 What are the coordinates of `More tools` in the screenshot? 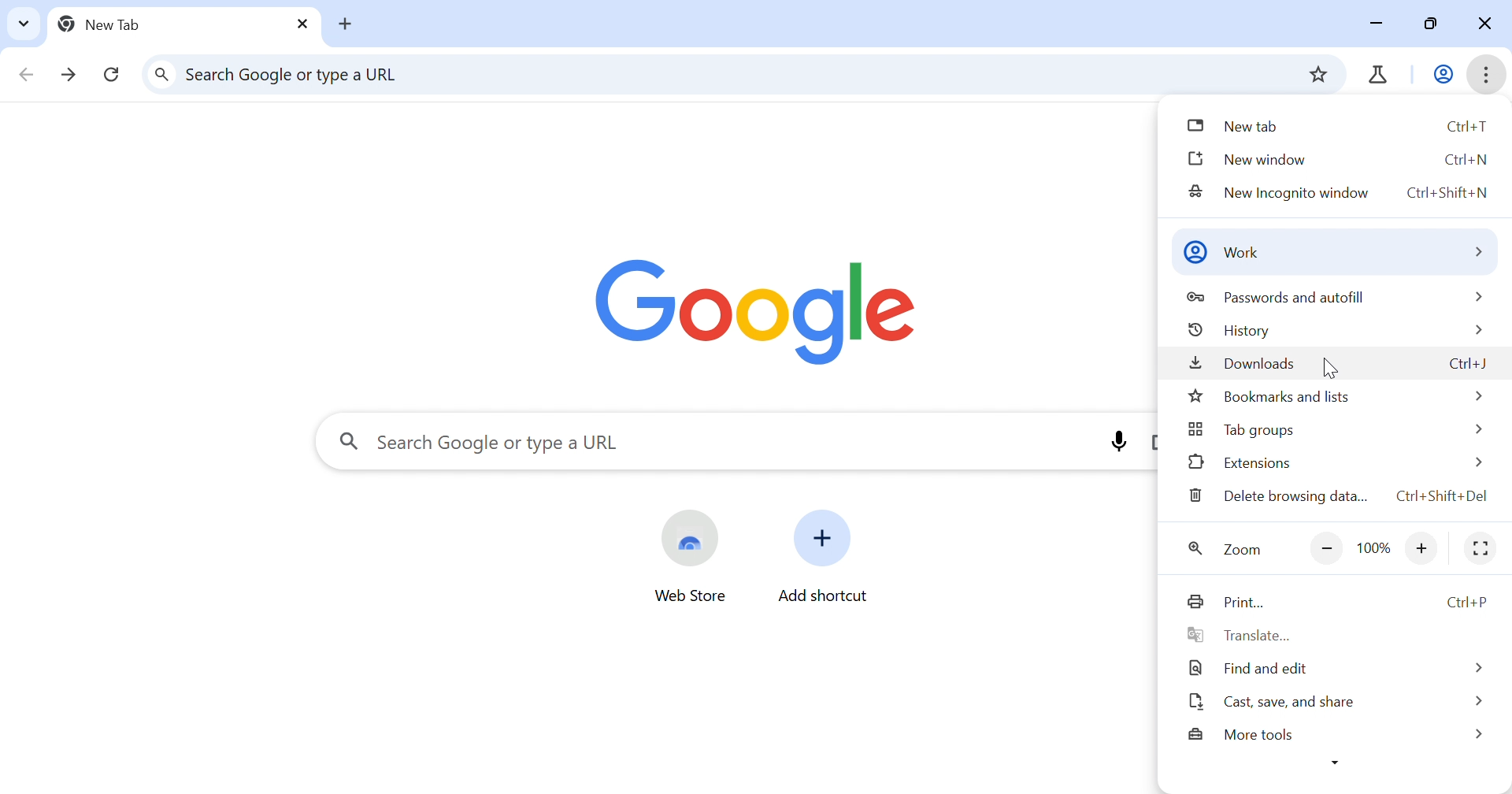 It's located at (1242, 736).